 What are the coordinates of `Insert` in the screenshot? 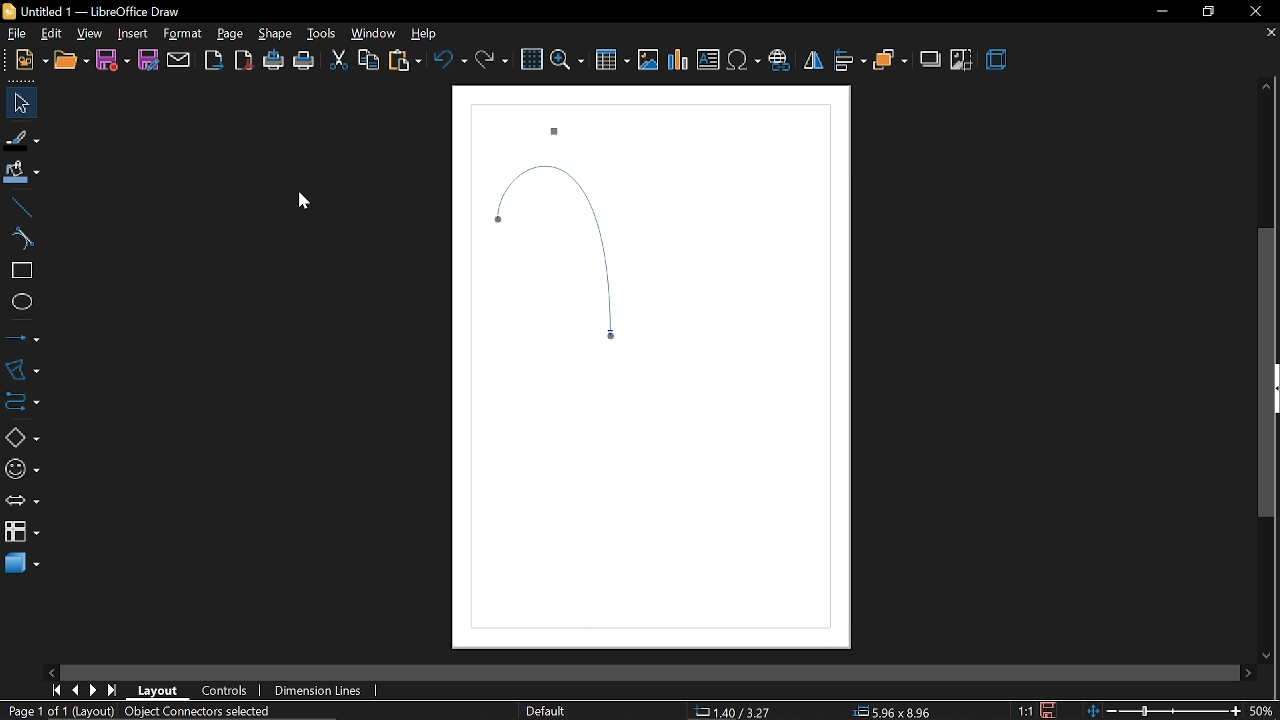 It's located at (131, 32).